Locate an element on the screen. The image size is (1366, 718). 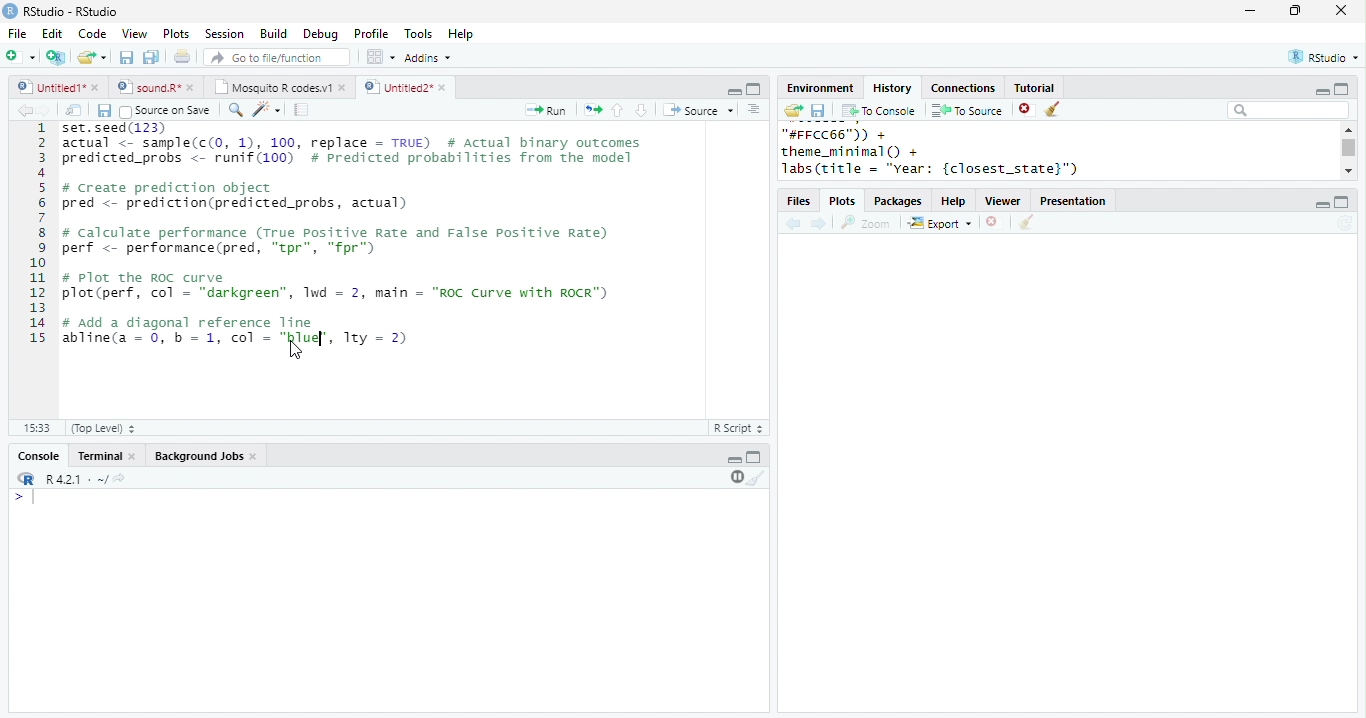
scroll down is located at coordinates (1348, 170).